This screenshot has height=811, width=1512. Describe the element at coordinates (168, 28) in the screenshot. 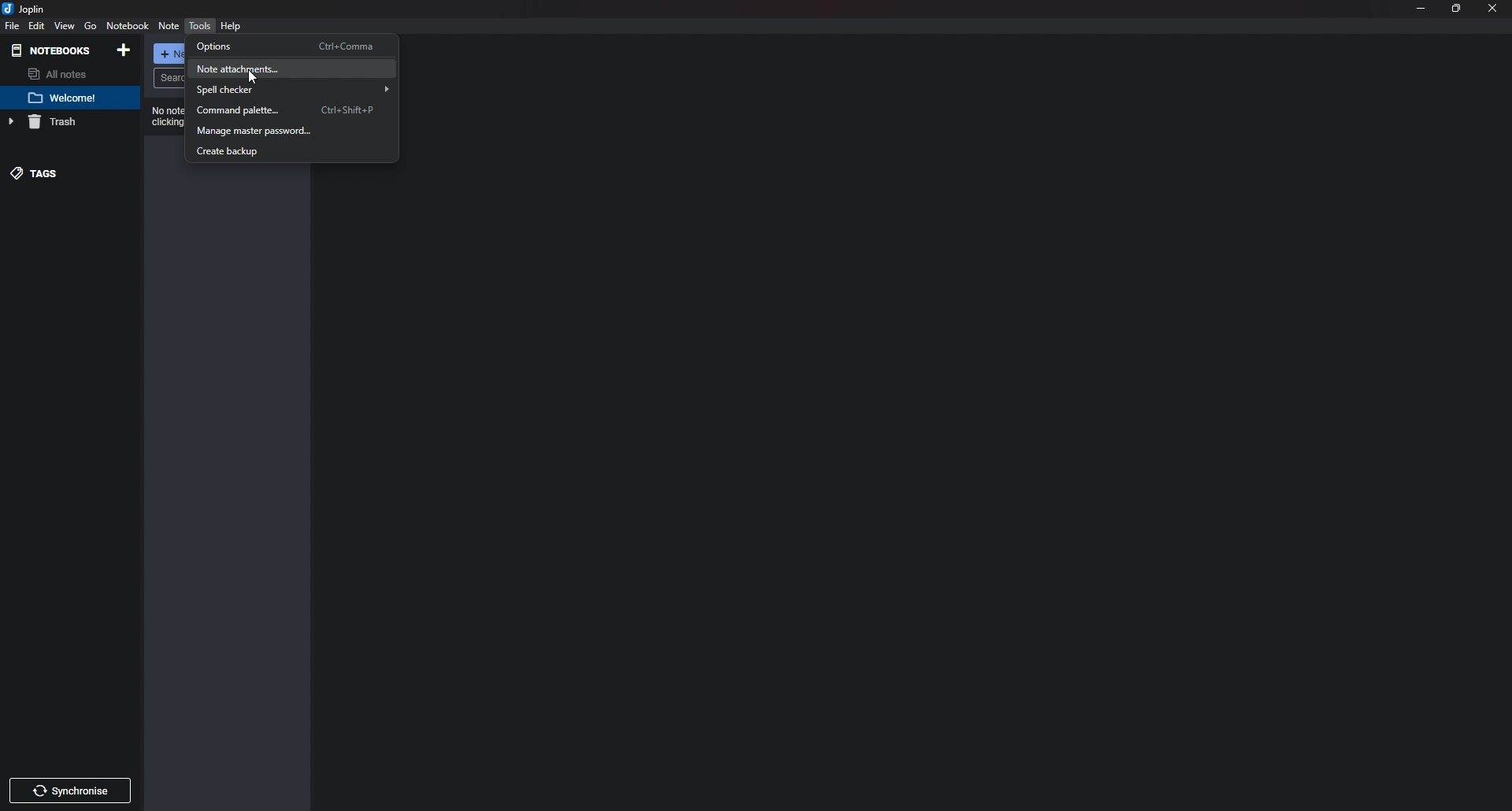

I see `Note` at that location.